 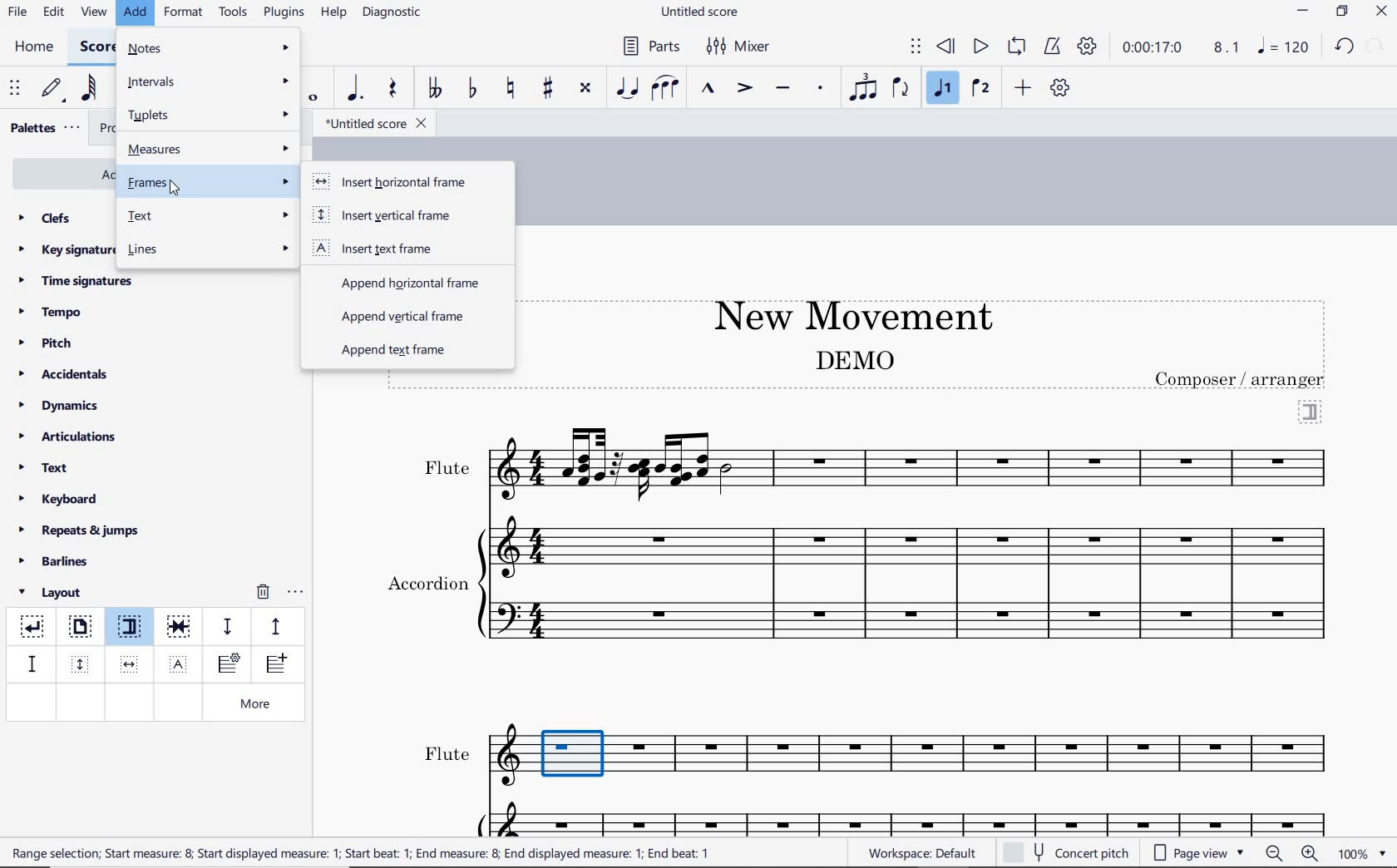 What do you see at coordinates (410, 318) in the screenshot?
I see `append vertical frame` at bounding box center [410, 318].